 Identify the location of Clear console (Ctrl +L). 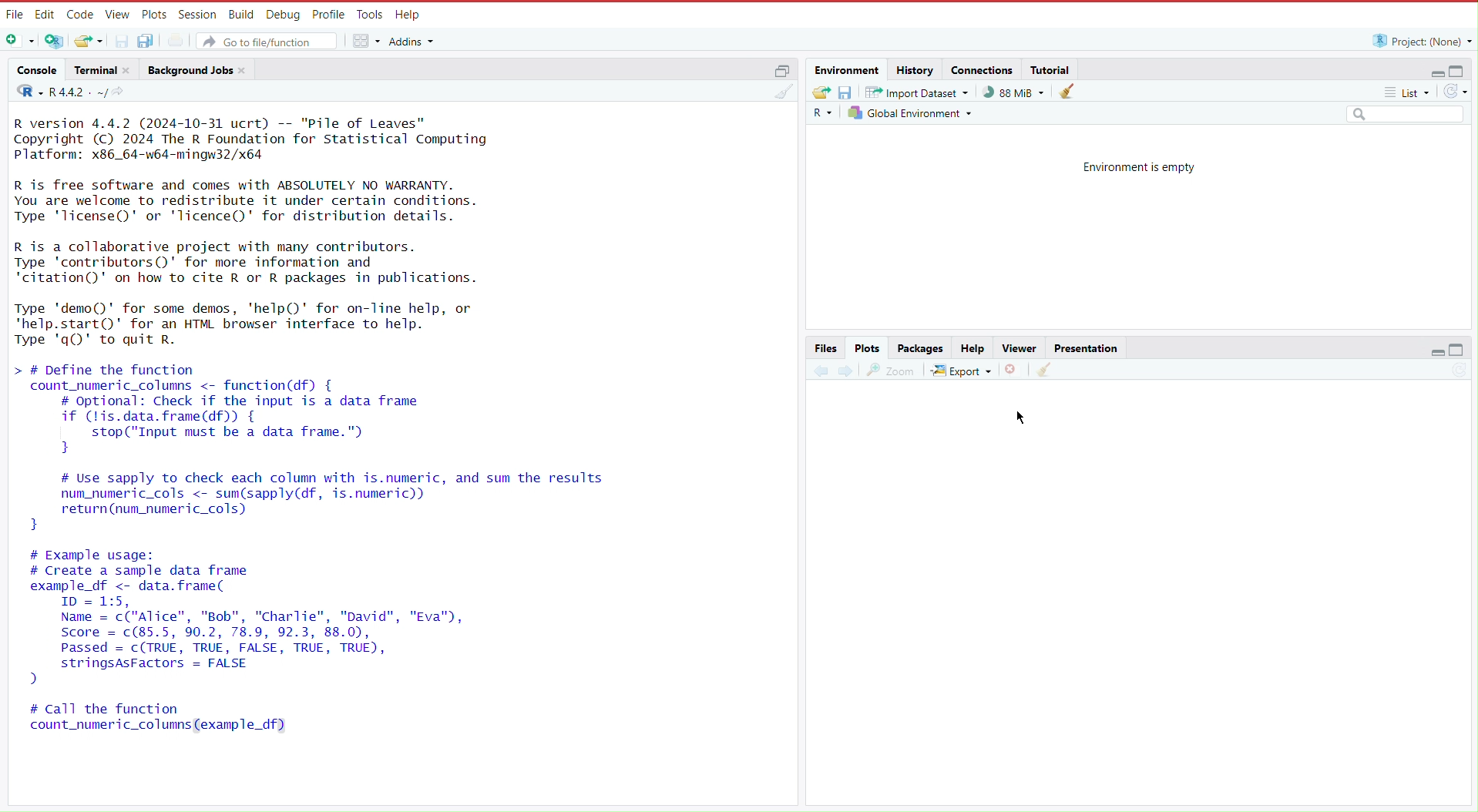
(786, 97).